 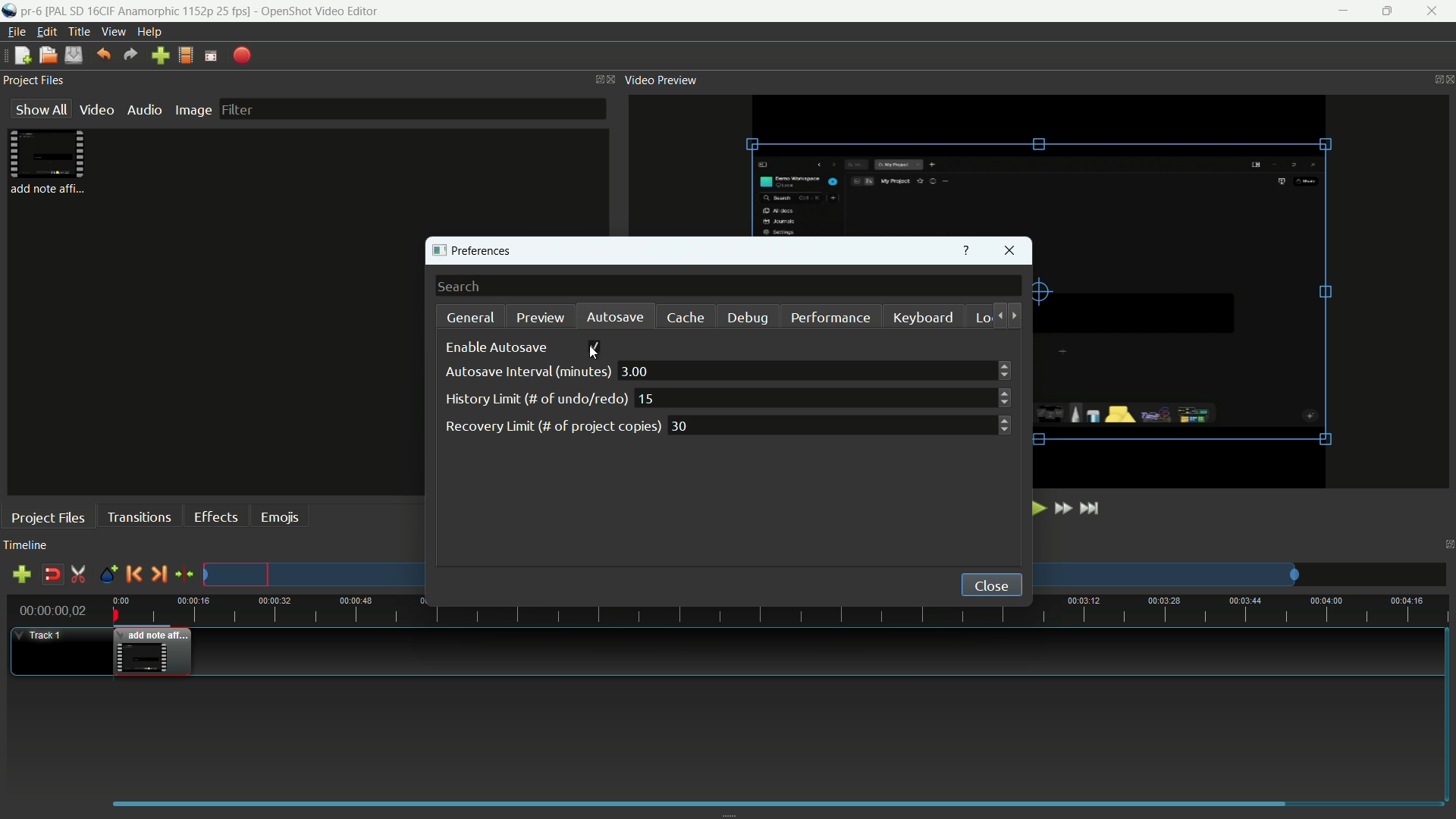 What do you see at coordinates (1433, 11) in the screenshot?
I see `close app` at bounding box center [1433, 11].